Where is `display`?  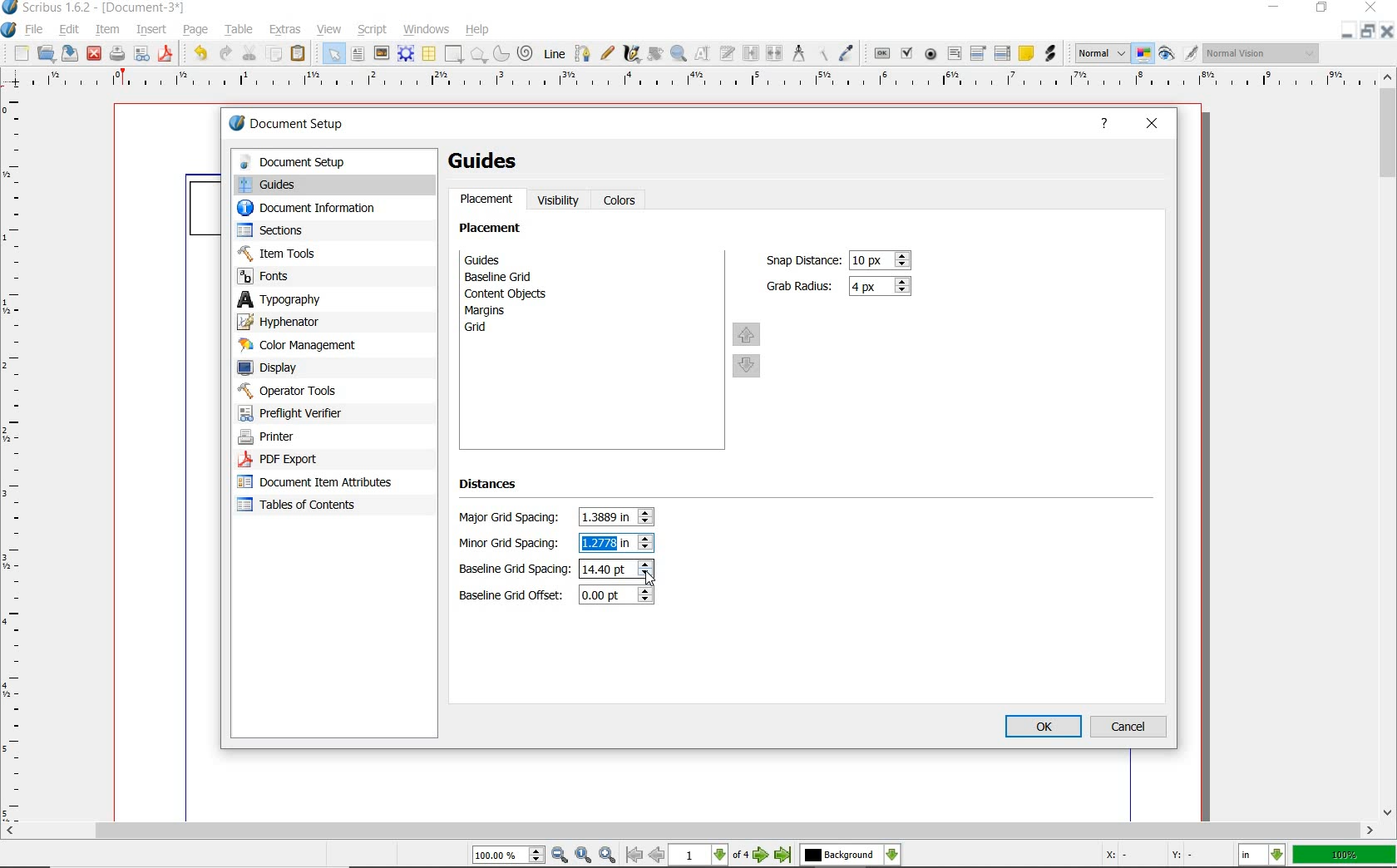 display is located at coordinates (324, 369).